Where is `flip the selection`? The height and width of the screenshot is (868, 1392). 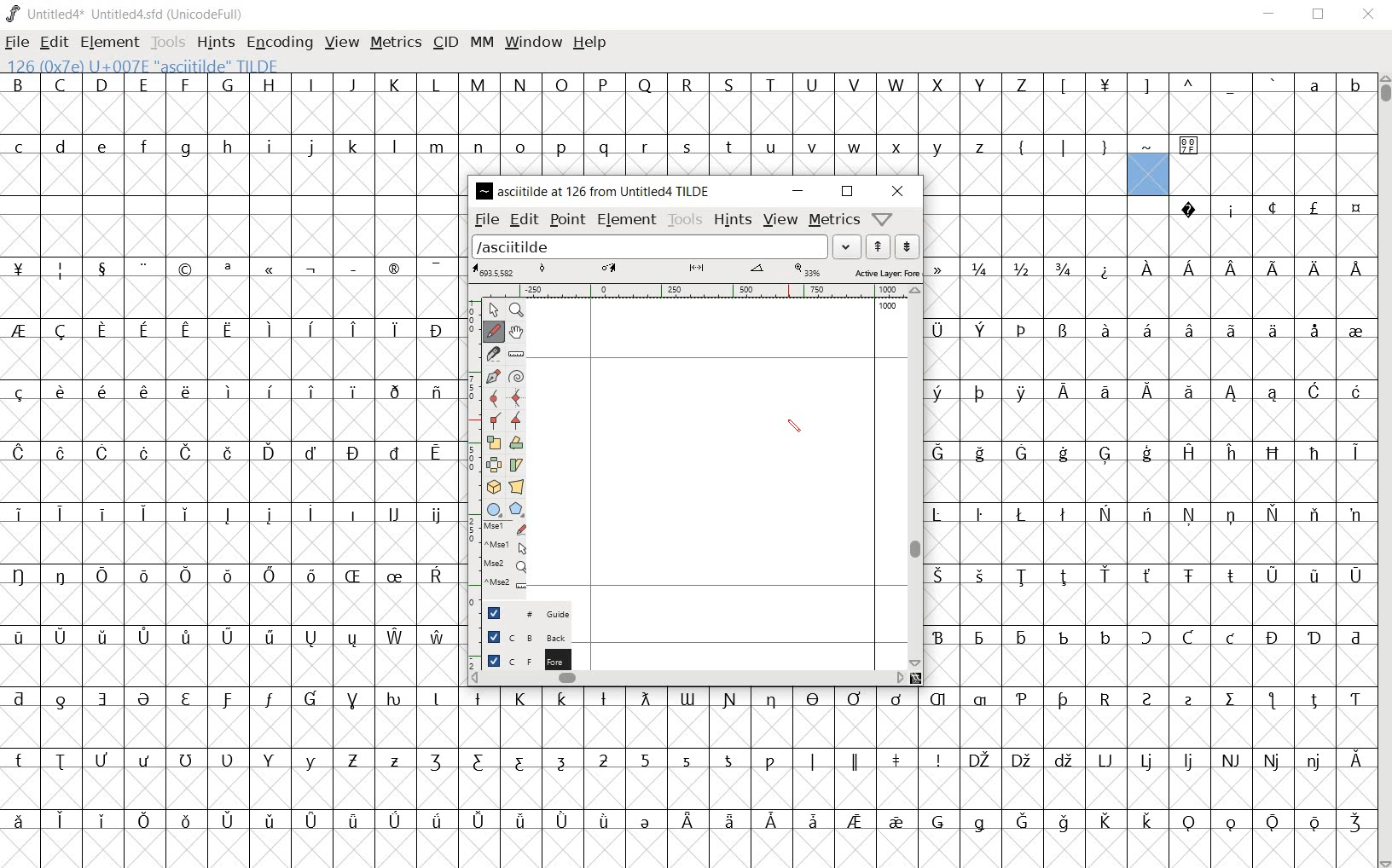
flip the selection is located at coordinates (495, 465).